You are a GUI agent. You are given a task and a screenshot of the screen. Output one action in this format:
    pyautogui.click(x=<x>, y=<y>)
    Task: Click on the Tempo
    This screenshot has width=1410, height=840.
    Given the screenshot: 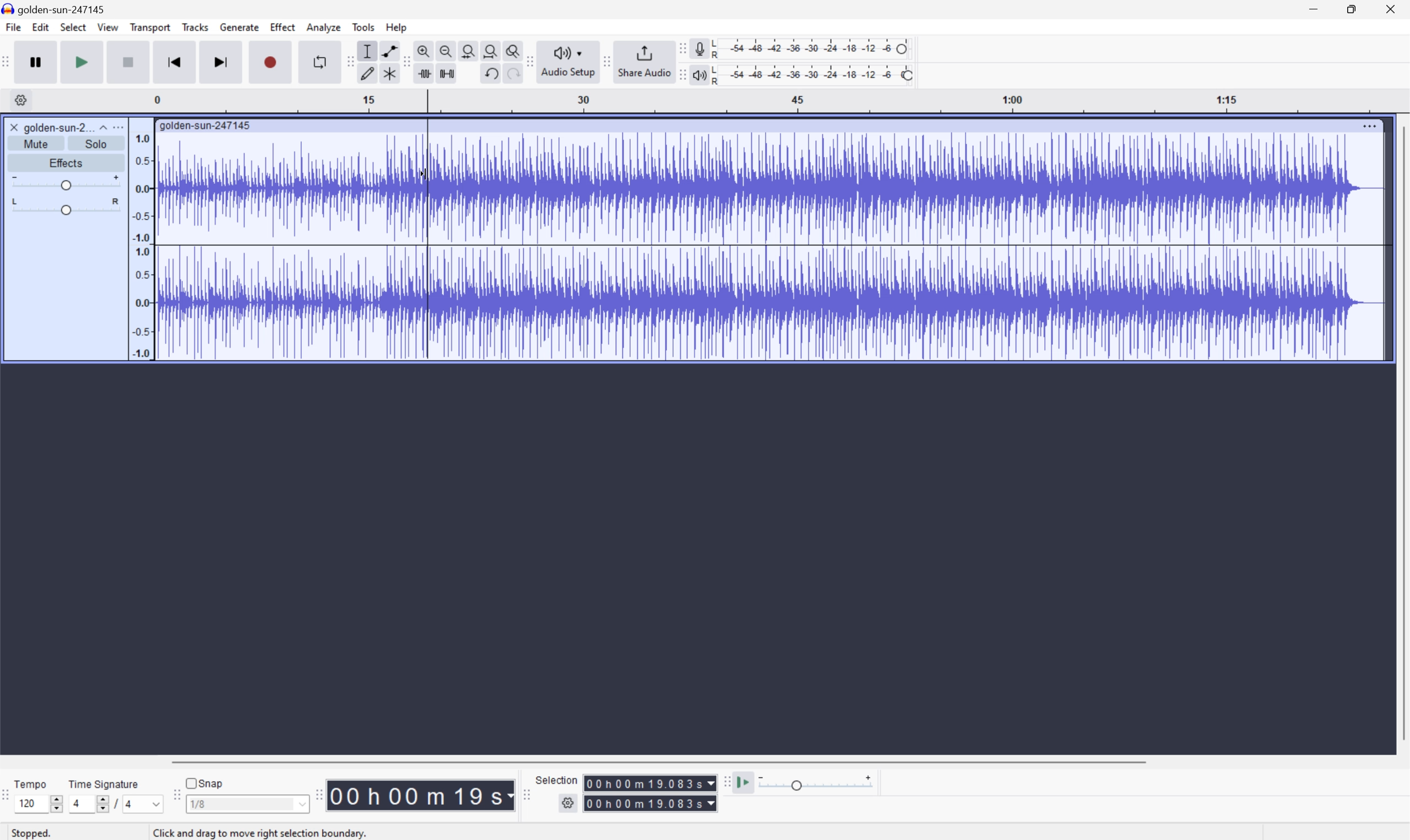 What is the action you would take?
    pyautogui.click(x=30, y=783)
    